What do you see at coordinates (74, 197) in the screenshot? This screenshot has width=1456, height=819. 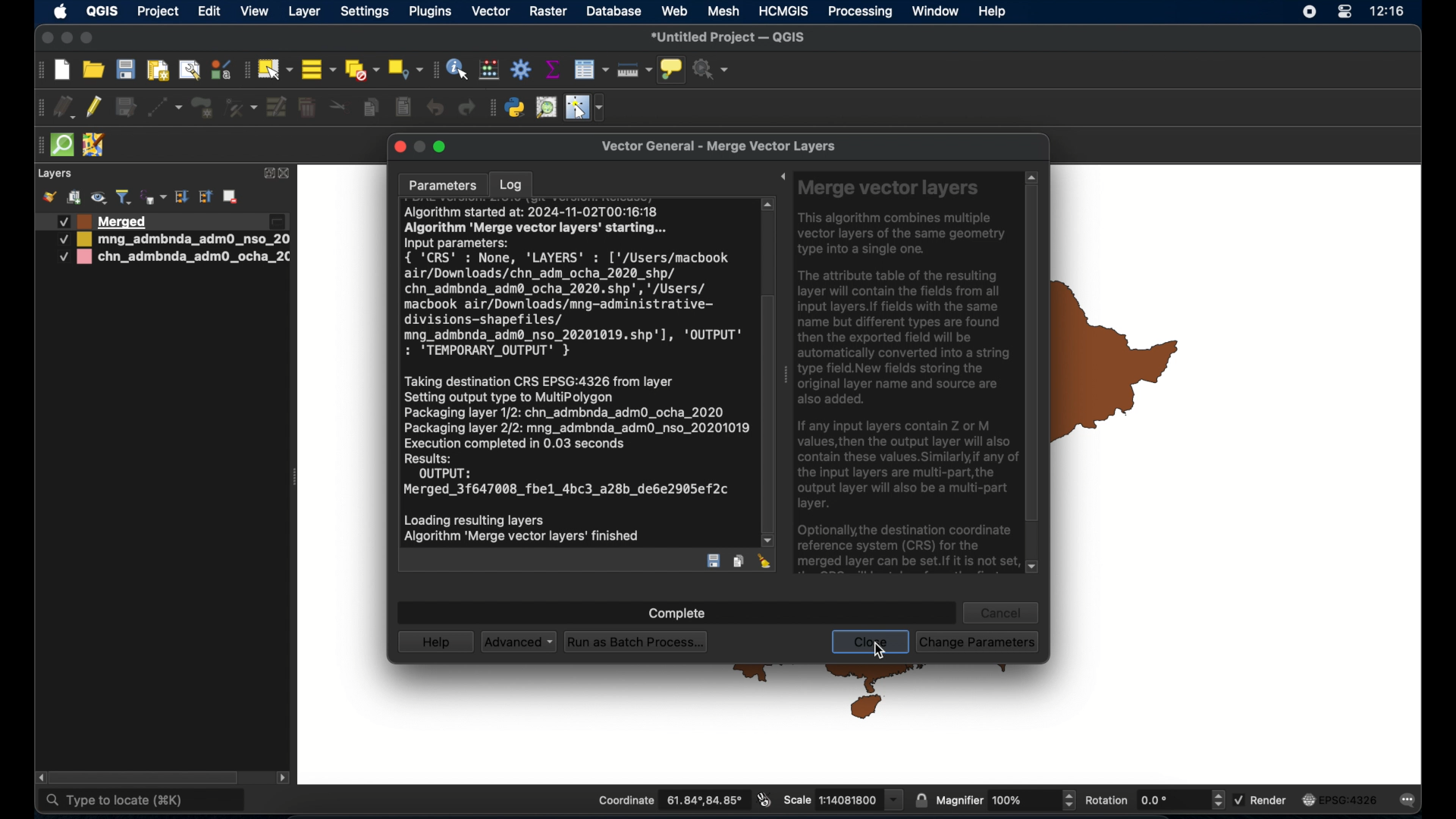 I see `add group` at bounding box center [74, 197].